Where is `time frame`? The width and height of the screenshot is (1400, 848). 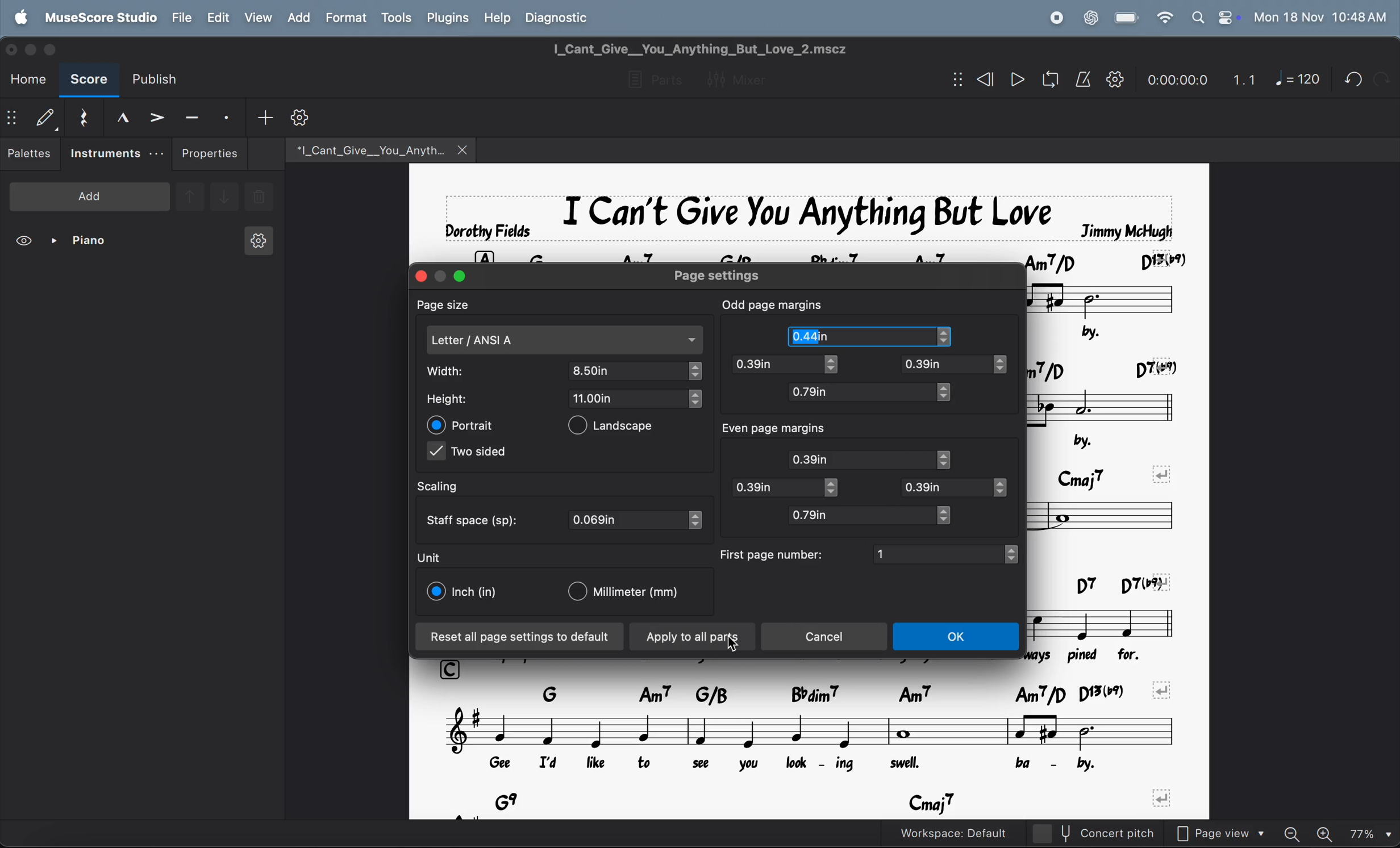 time frame is located at coordinates (1174, 77).